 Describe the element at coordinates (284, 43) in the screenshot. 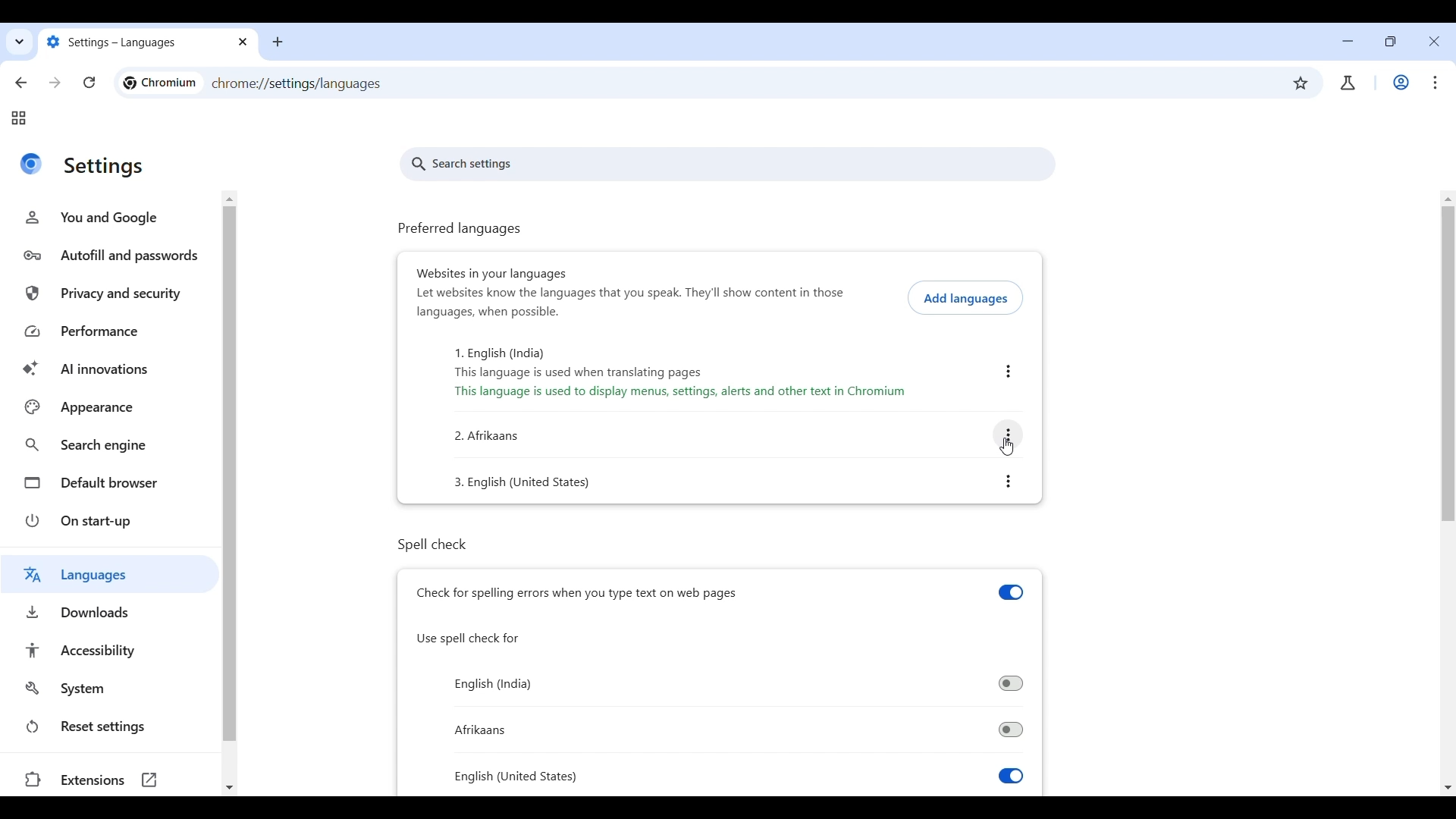

I see `add new tab` at that location.